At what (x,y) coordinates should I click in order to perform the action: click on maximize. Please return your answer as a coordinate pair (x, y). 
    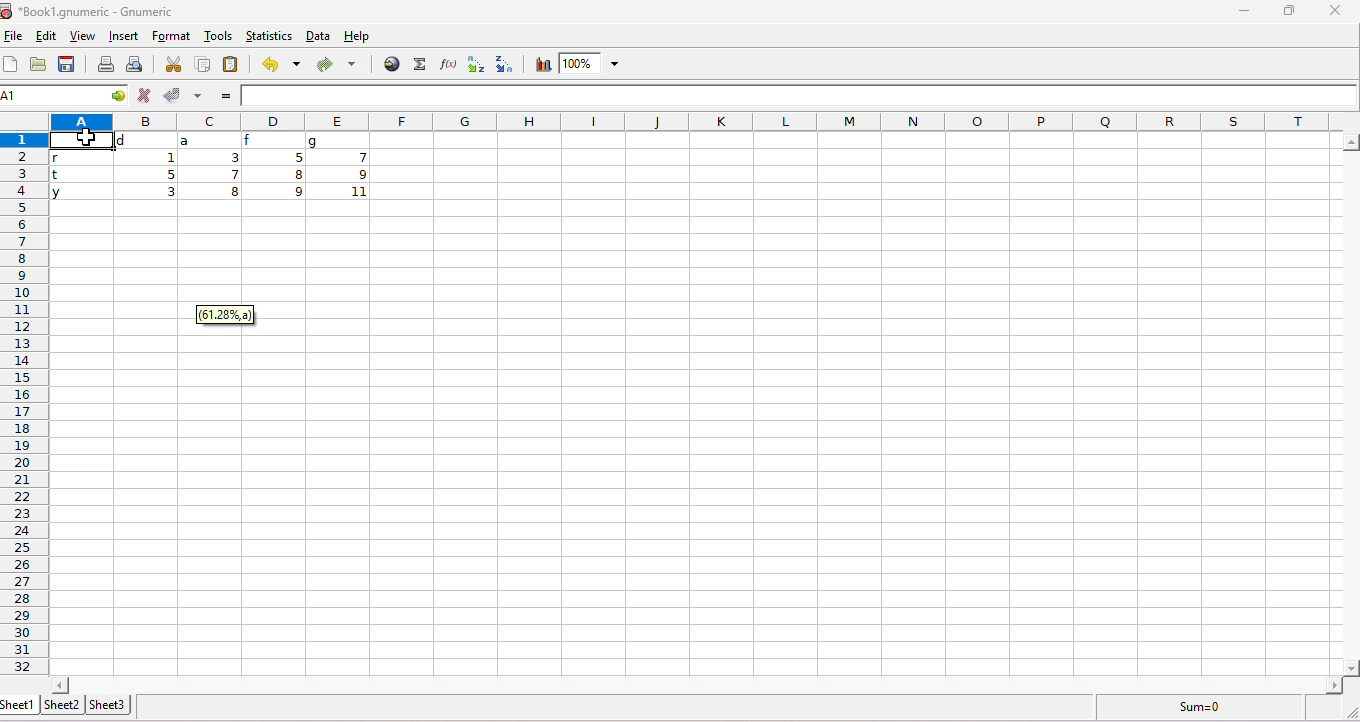
    Looking at the image, I should click on (1286, 11).